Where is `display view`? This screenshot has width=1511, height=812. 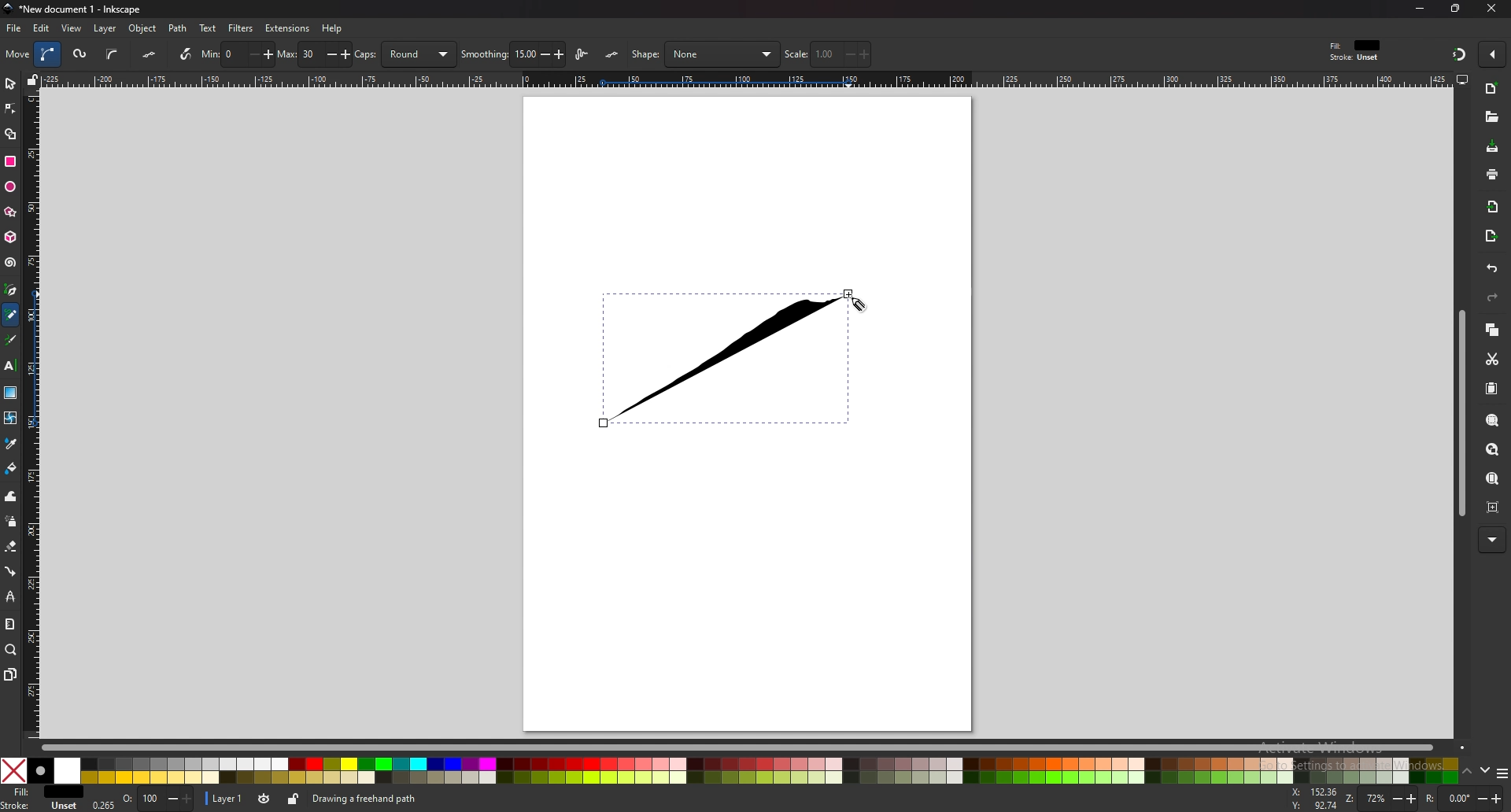
display view is located at coordinates (1462, 79).